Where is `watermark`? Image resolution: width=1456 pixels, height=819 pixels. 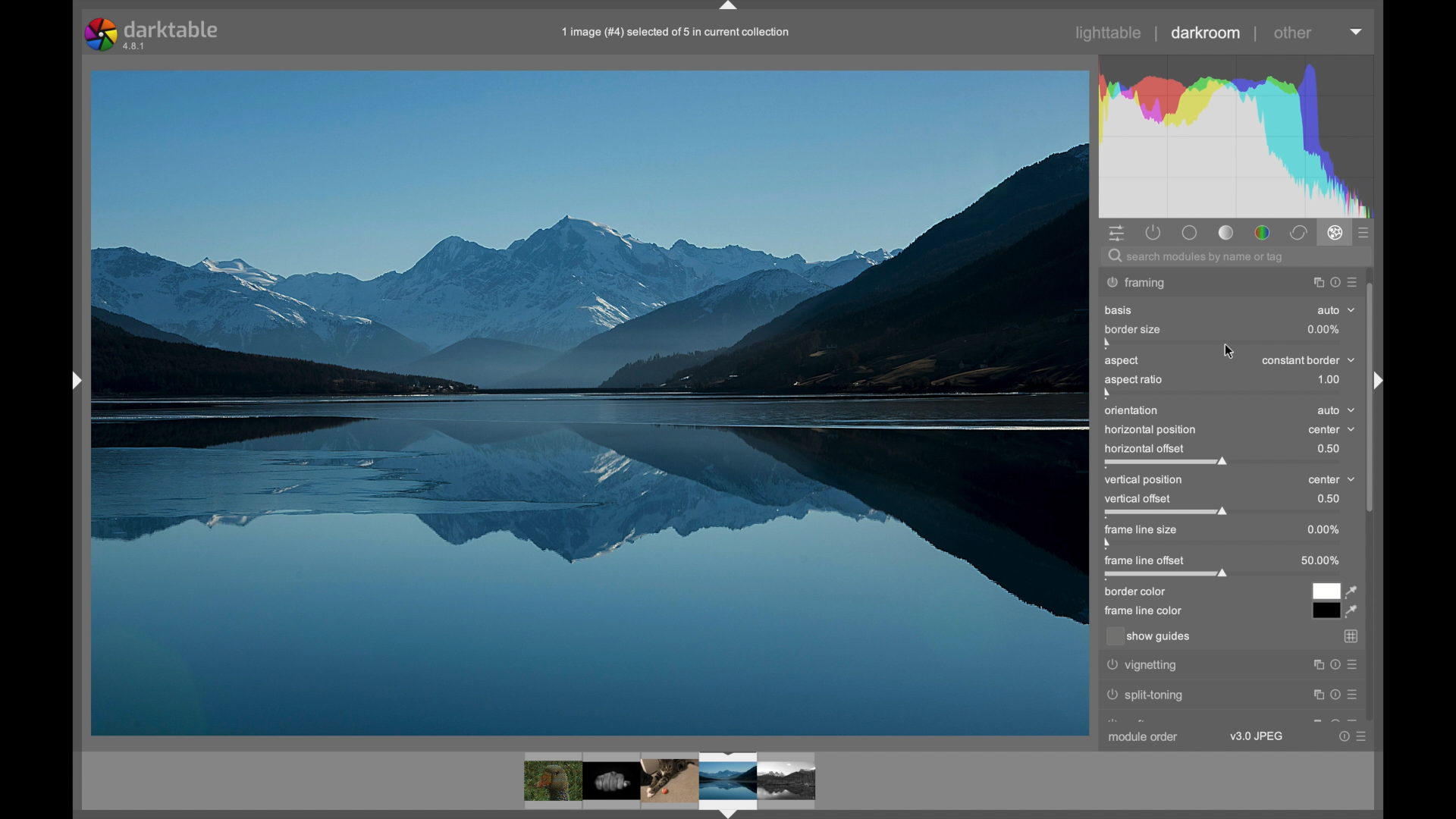 watermark is located at coordinates (1145, 281).